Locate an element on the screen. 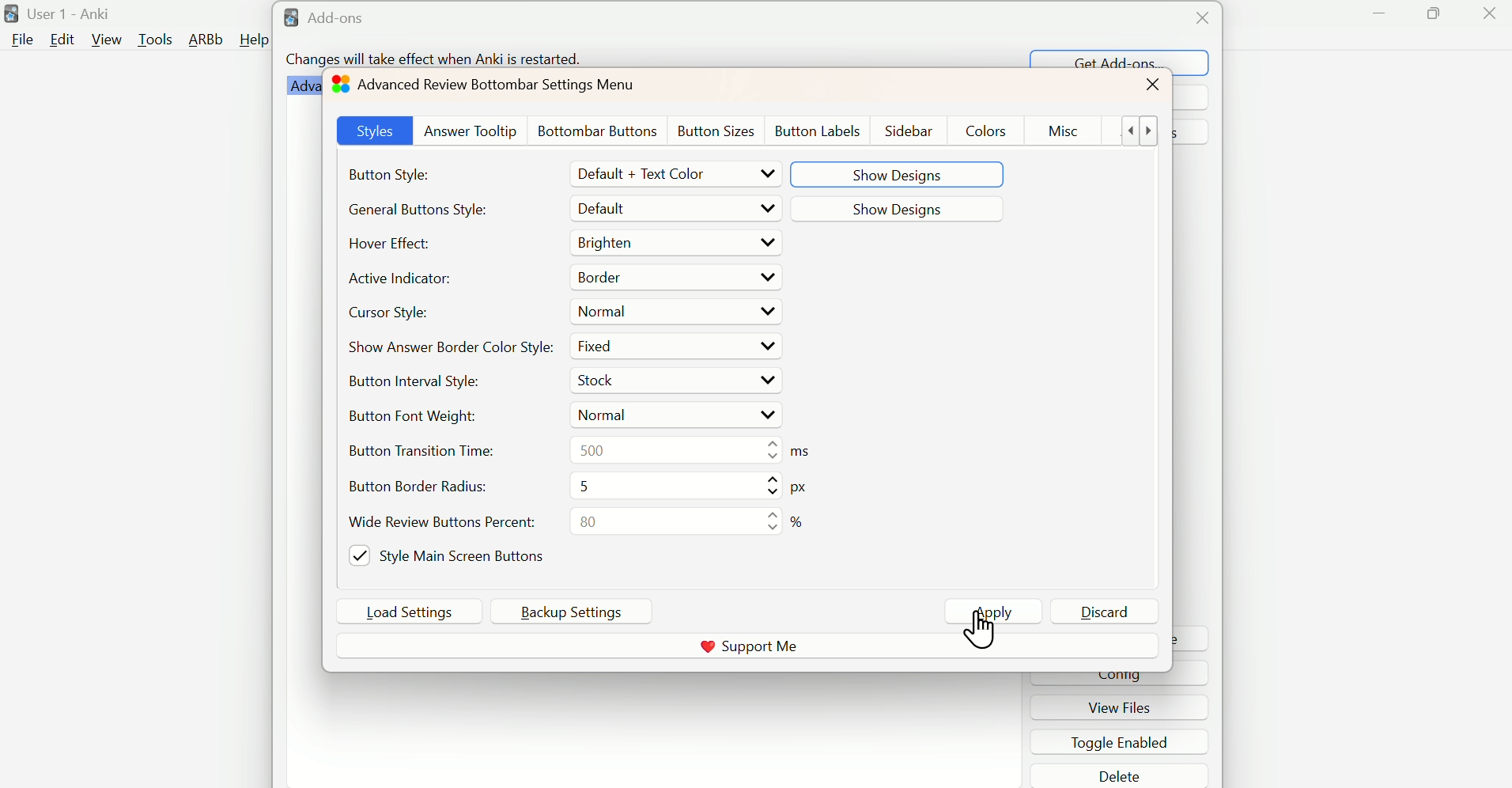 This screenshot has height=788, width=1512. Misc is located at coordinates (1064, 133).